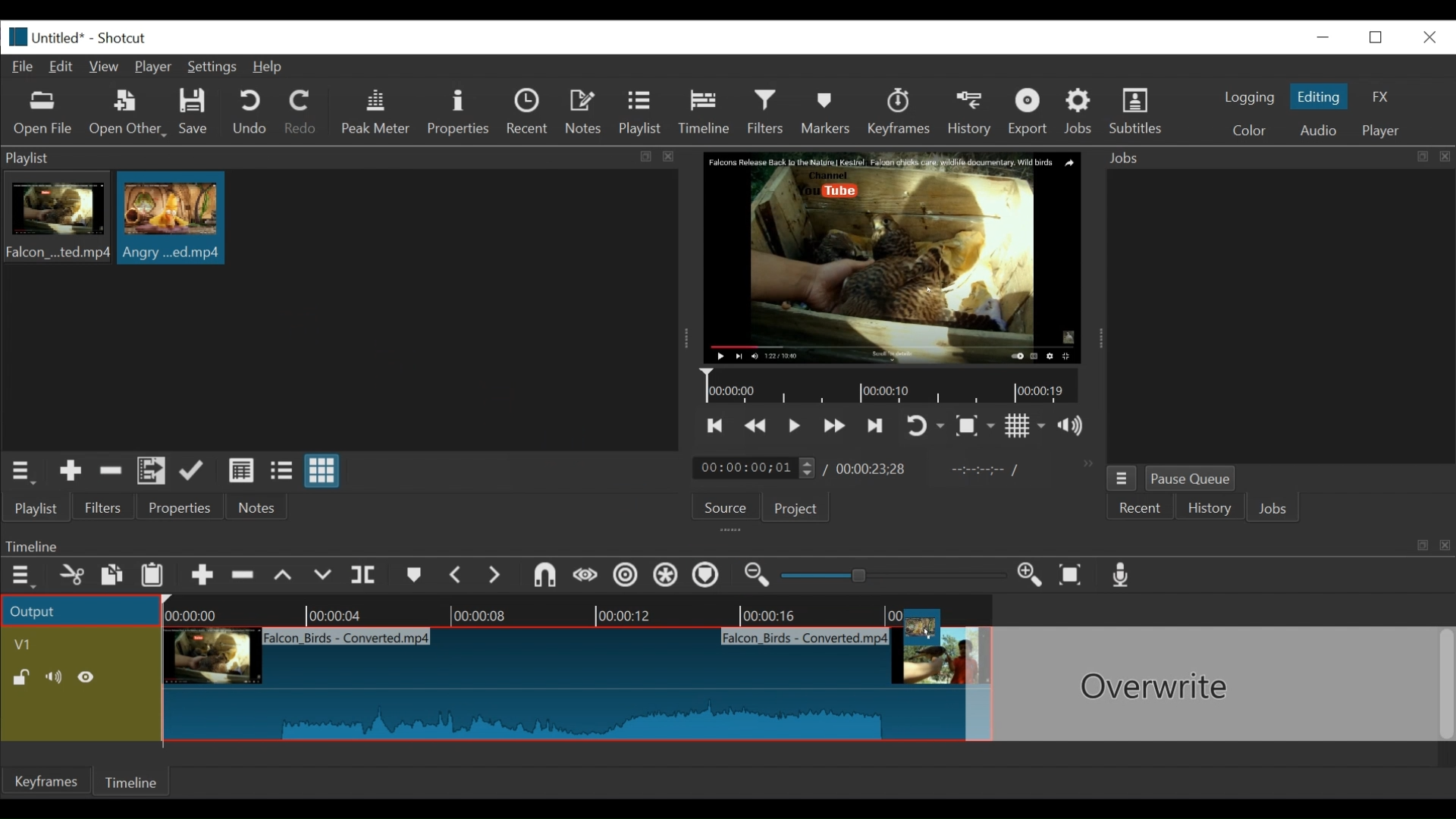  I want to click on lift, so click(285, 577).